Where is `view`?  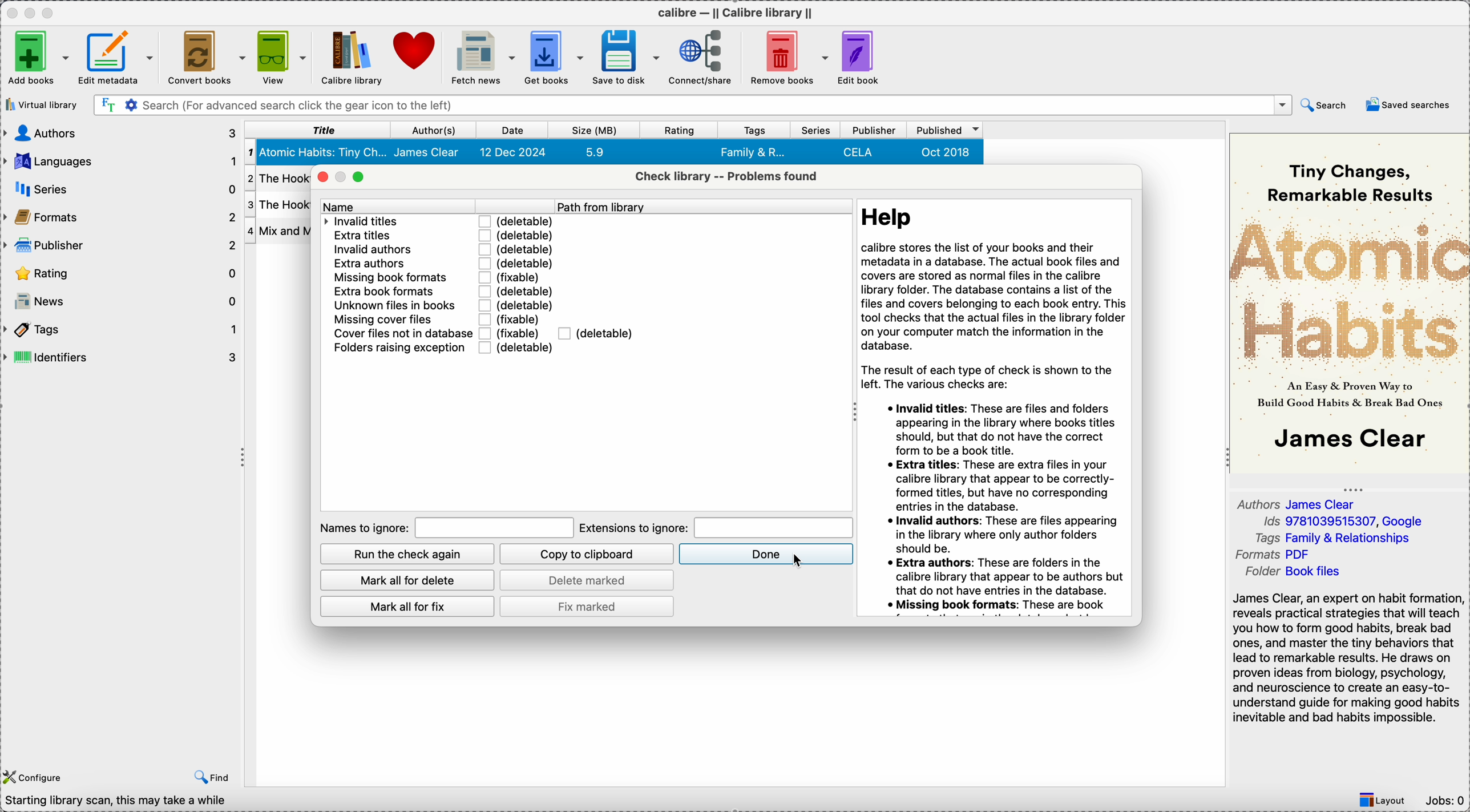
view is located at coordinates (282, 58).